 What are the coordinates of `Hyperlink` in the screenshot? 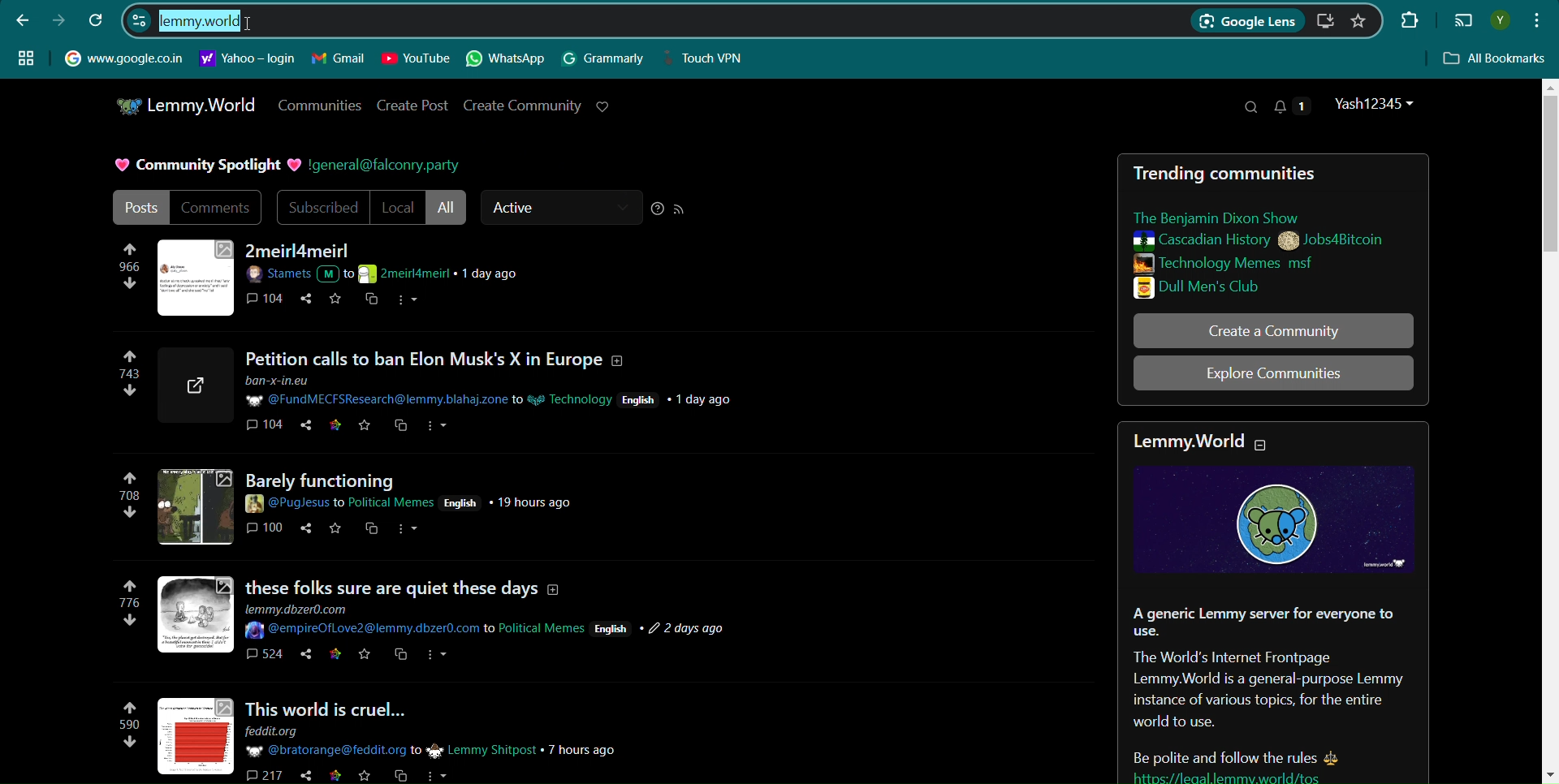 It's located at (200, 22).